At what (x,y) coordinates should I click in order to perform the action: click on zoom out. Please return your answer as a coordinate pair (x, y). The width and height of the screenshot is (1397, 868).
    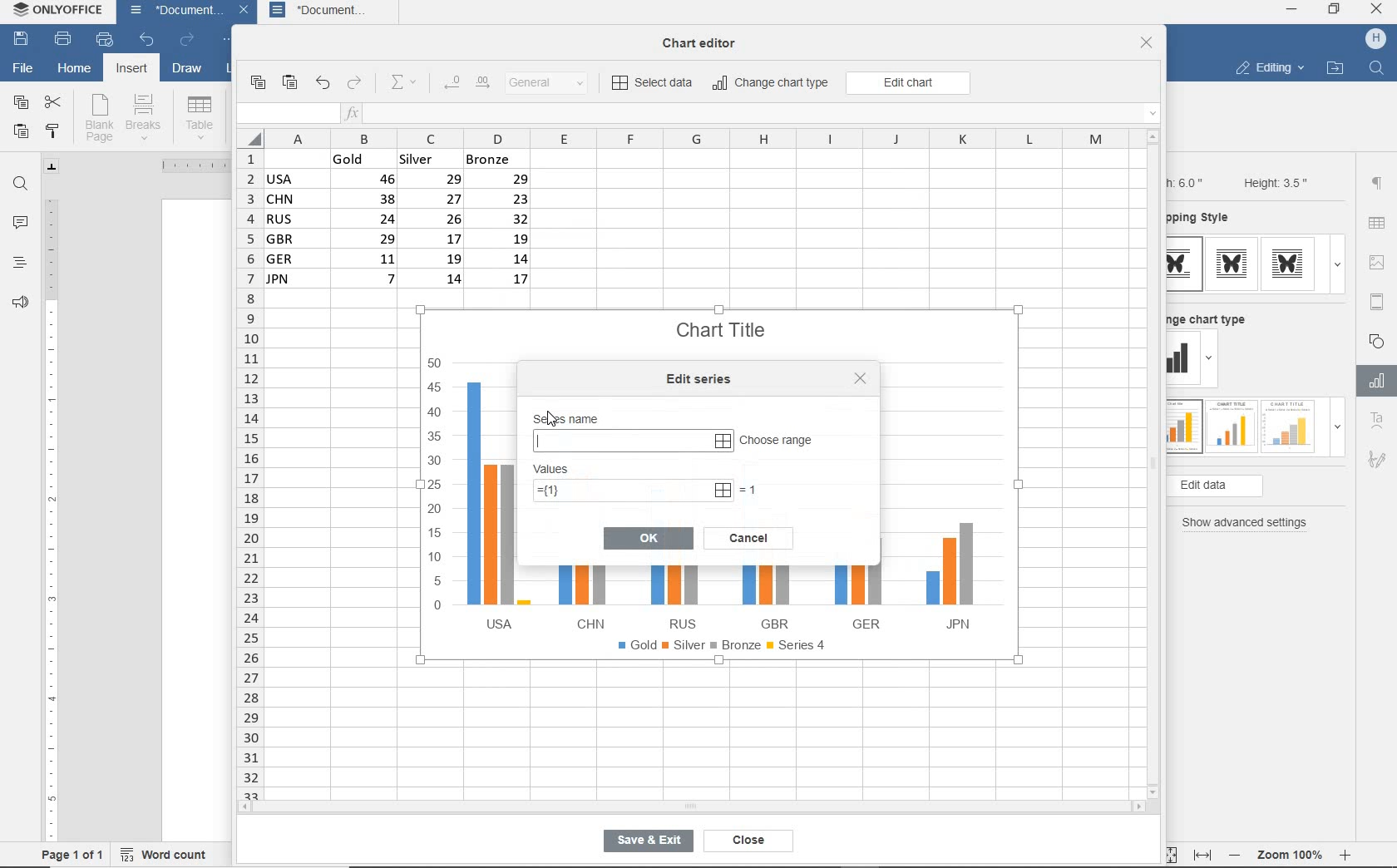
    Looking at the image, I should click on (1237, 855).